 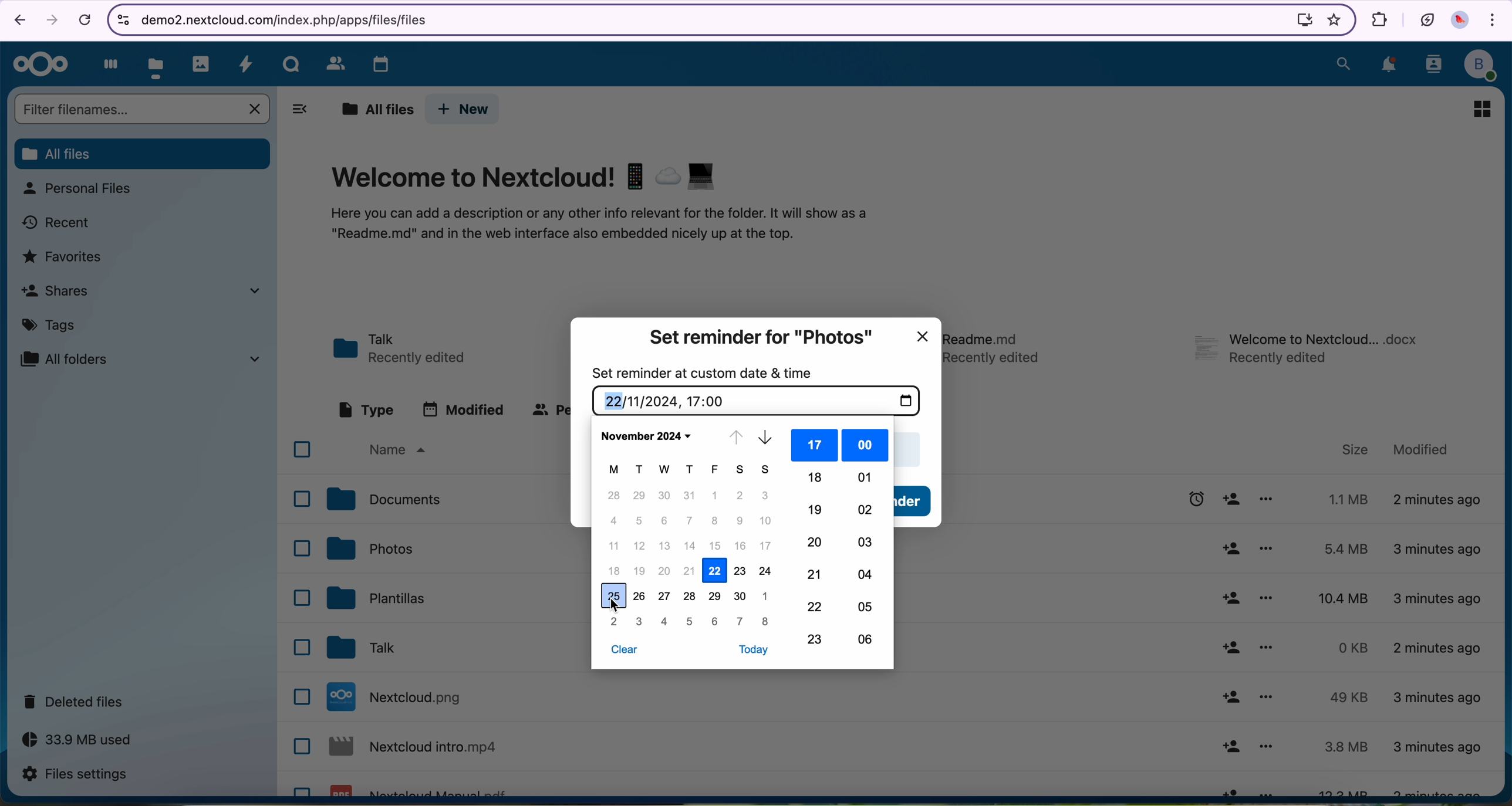 What do you see at coordinates (1176, 502) in the screenshot?
I see `click set` at bounding box center [1176, 502].